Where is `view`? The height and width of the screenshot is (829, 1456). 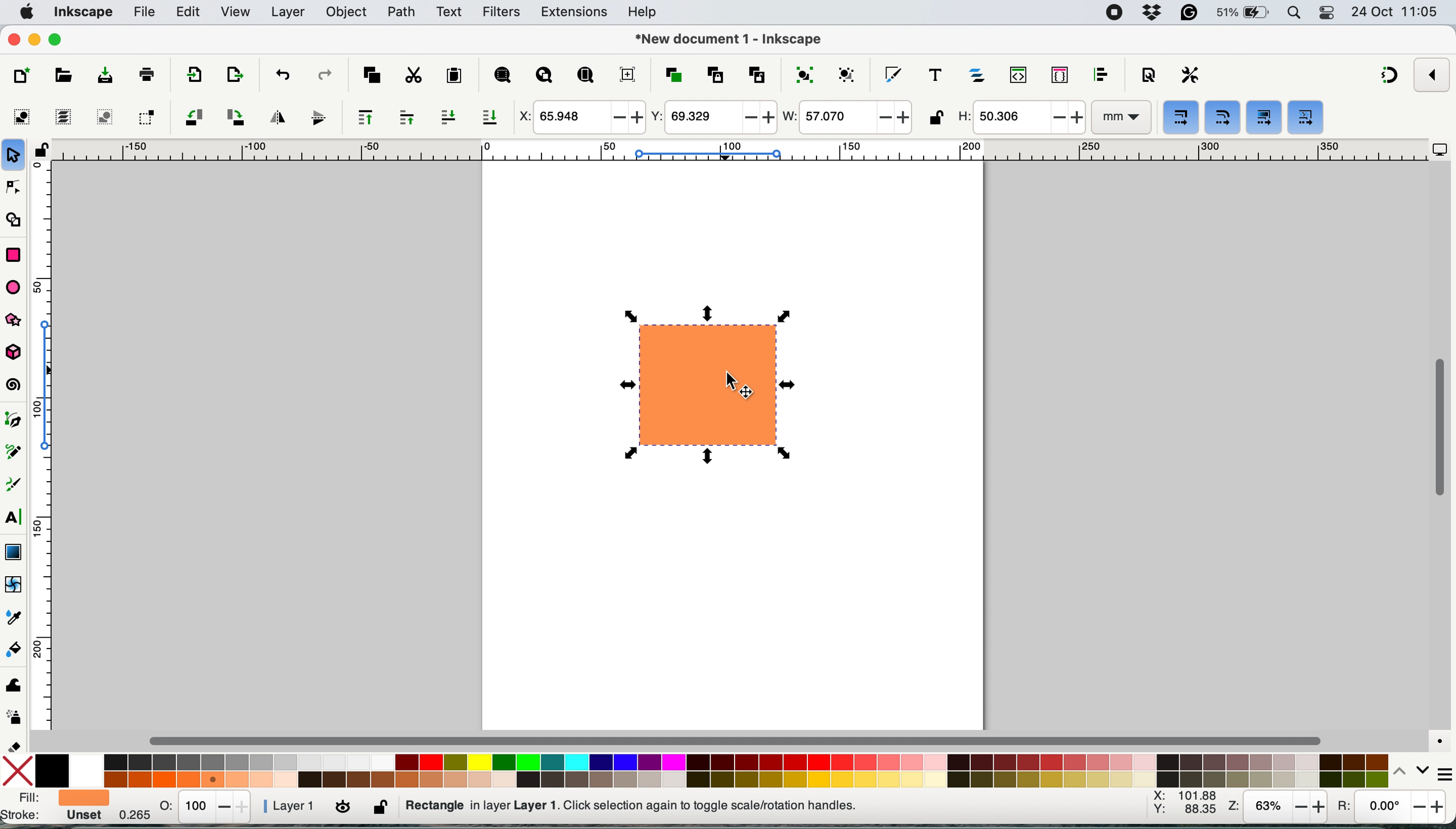 view is located at coordinates (237, 13).